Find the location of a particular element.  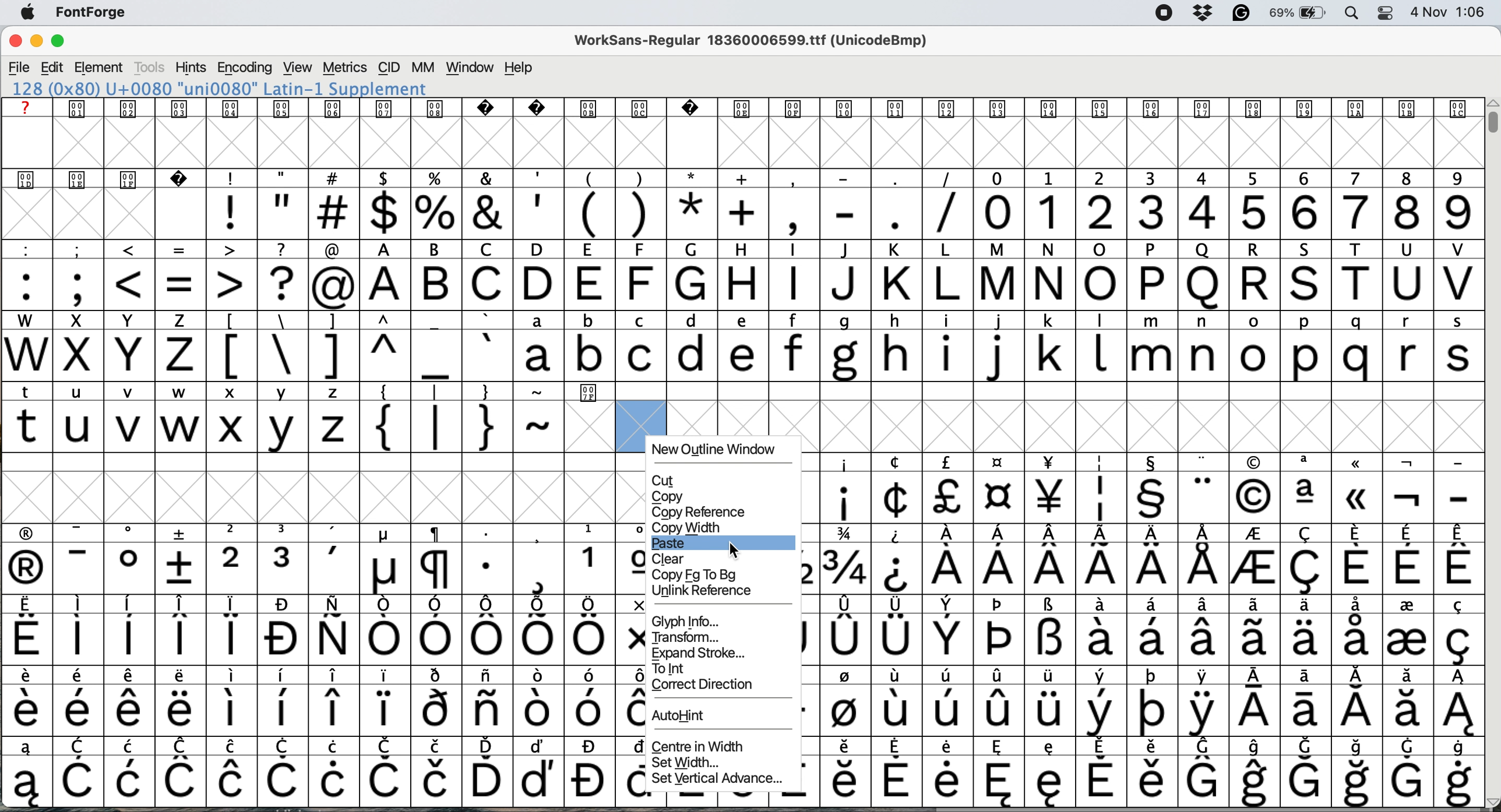

SPECIAL CHARACTERS is located at coordinates (1148, 460).